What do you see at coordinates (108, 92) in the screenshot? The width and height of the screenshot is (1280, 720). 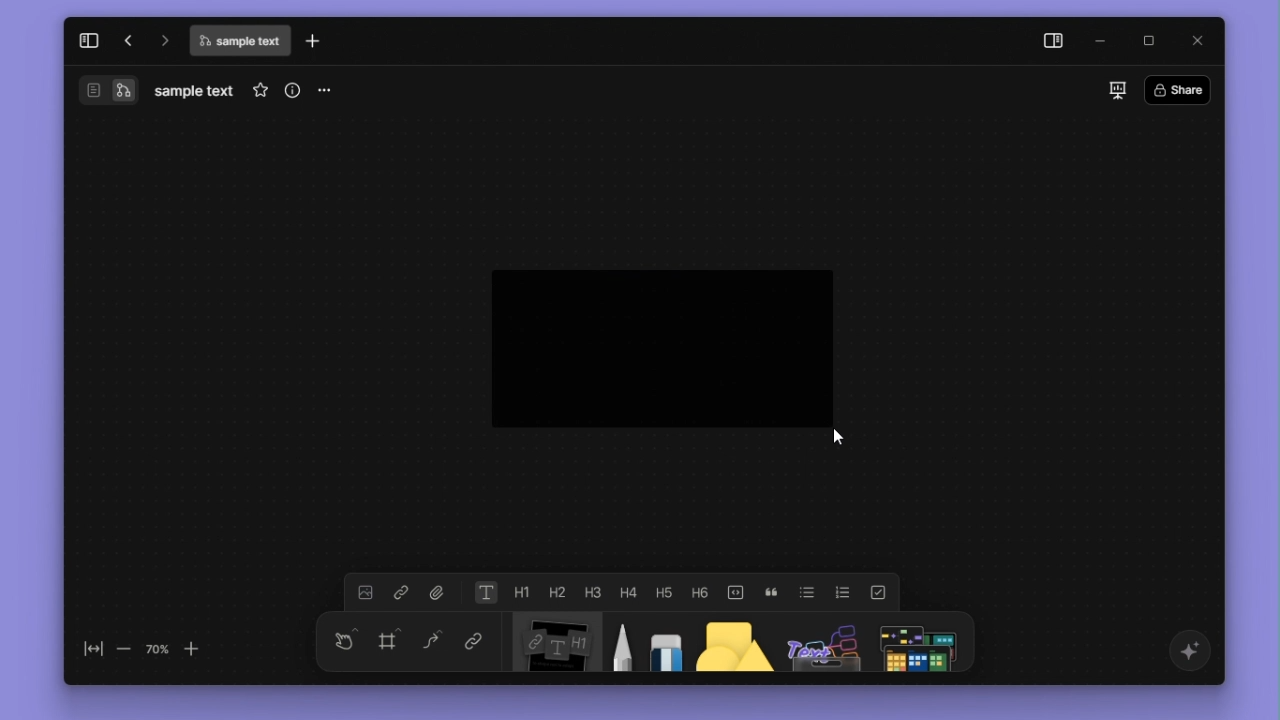 I see `switch between page and edgeless` at bounding box center [108, 92].